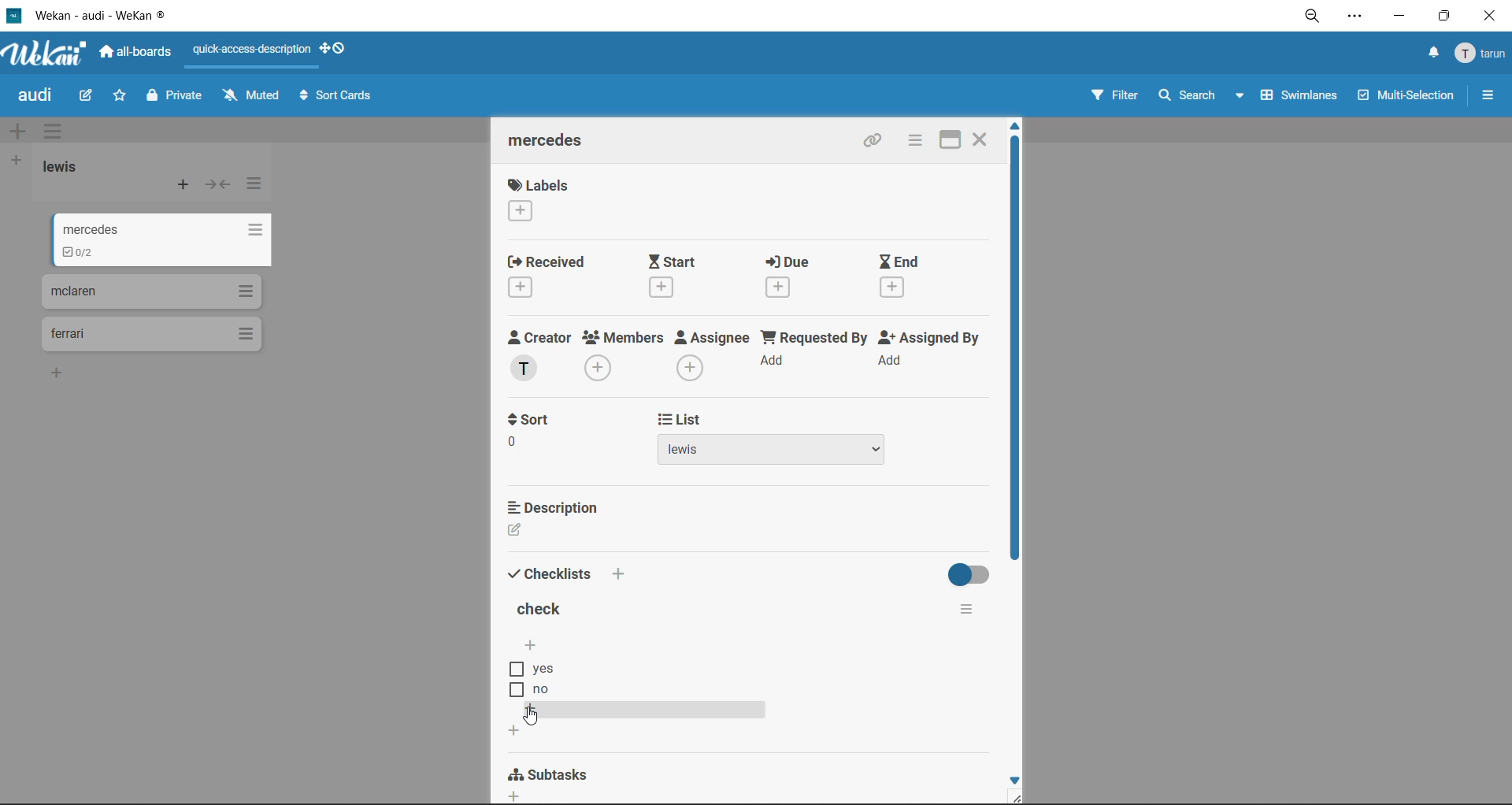 The width and height of the screenshot is (1512, 805). I want to click on Add Start Time, so click(663, 287).